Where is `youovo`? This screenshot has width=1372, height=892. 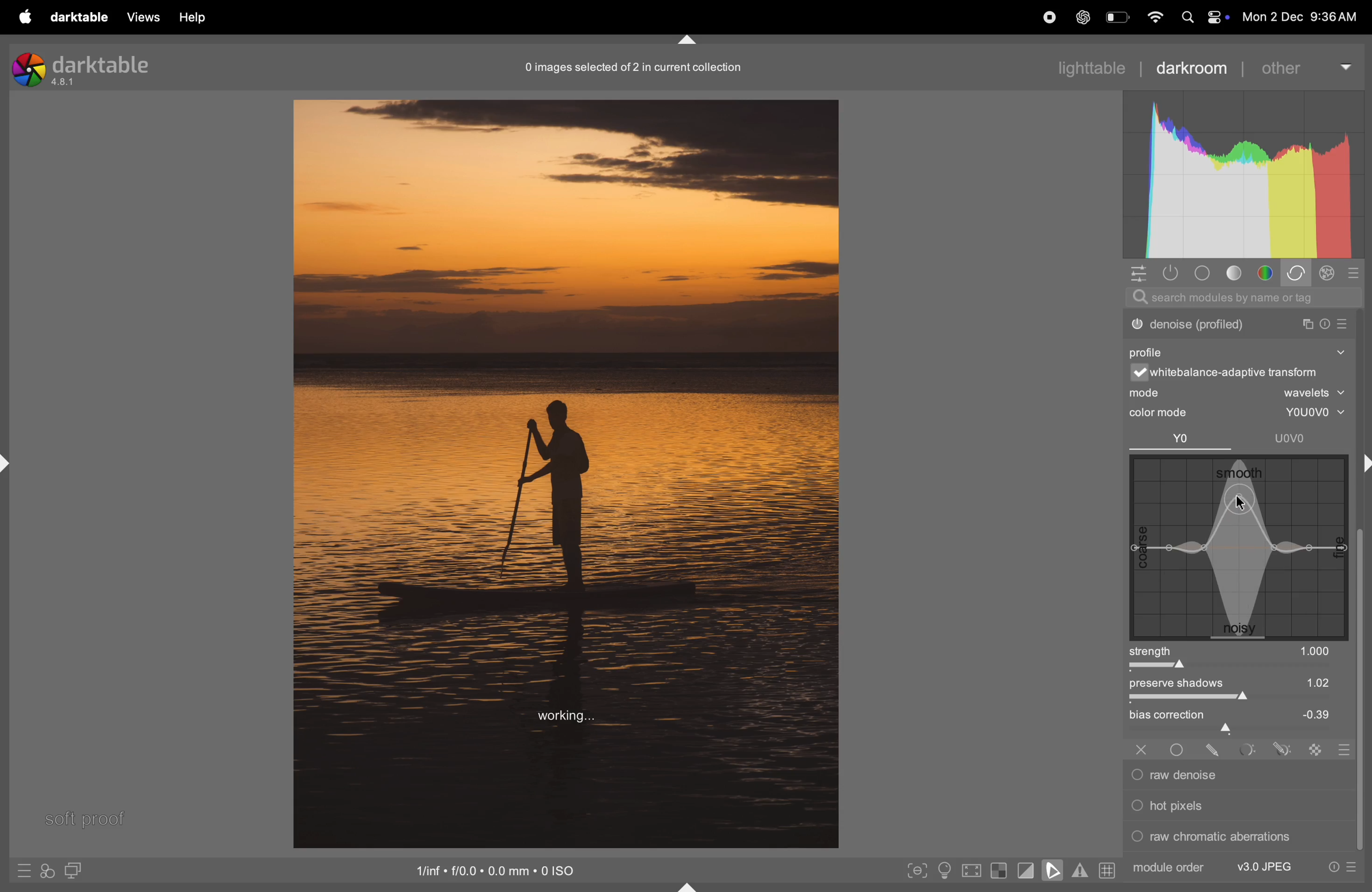
youovo is located at coordinates (1307, 413).